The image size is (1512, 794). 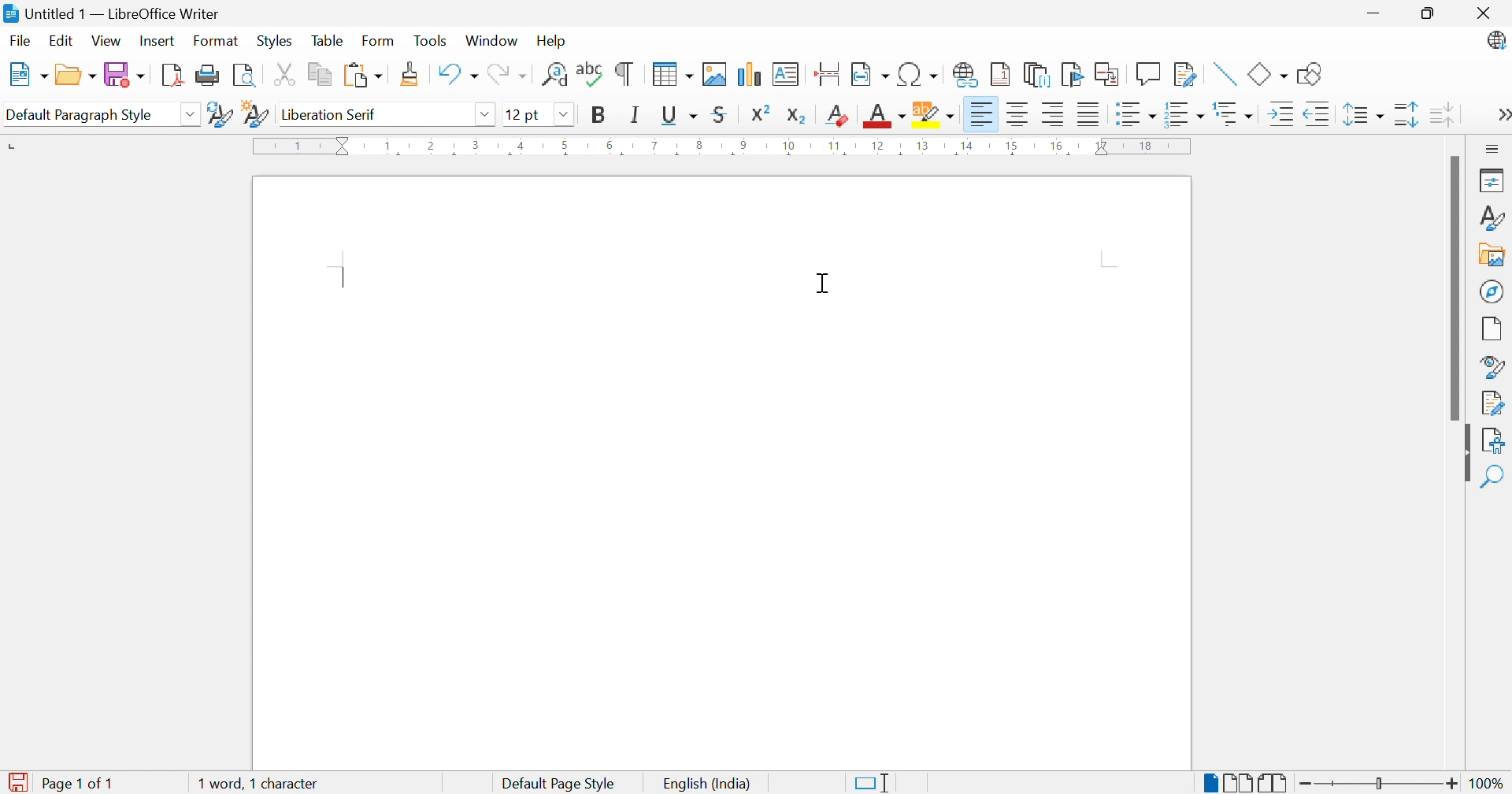 What do you see at coordinates (285, 74) in the screenshot?
I see `Cut` at bounding box center [285, 74].